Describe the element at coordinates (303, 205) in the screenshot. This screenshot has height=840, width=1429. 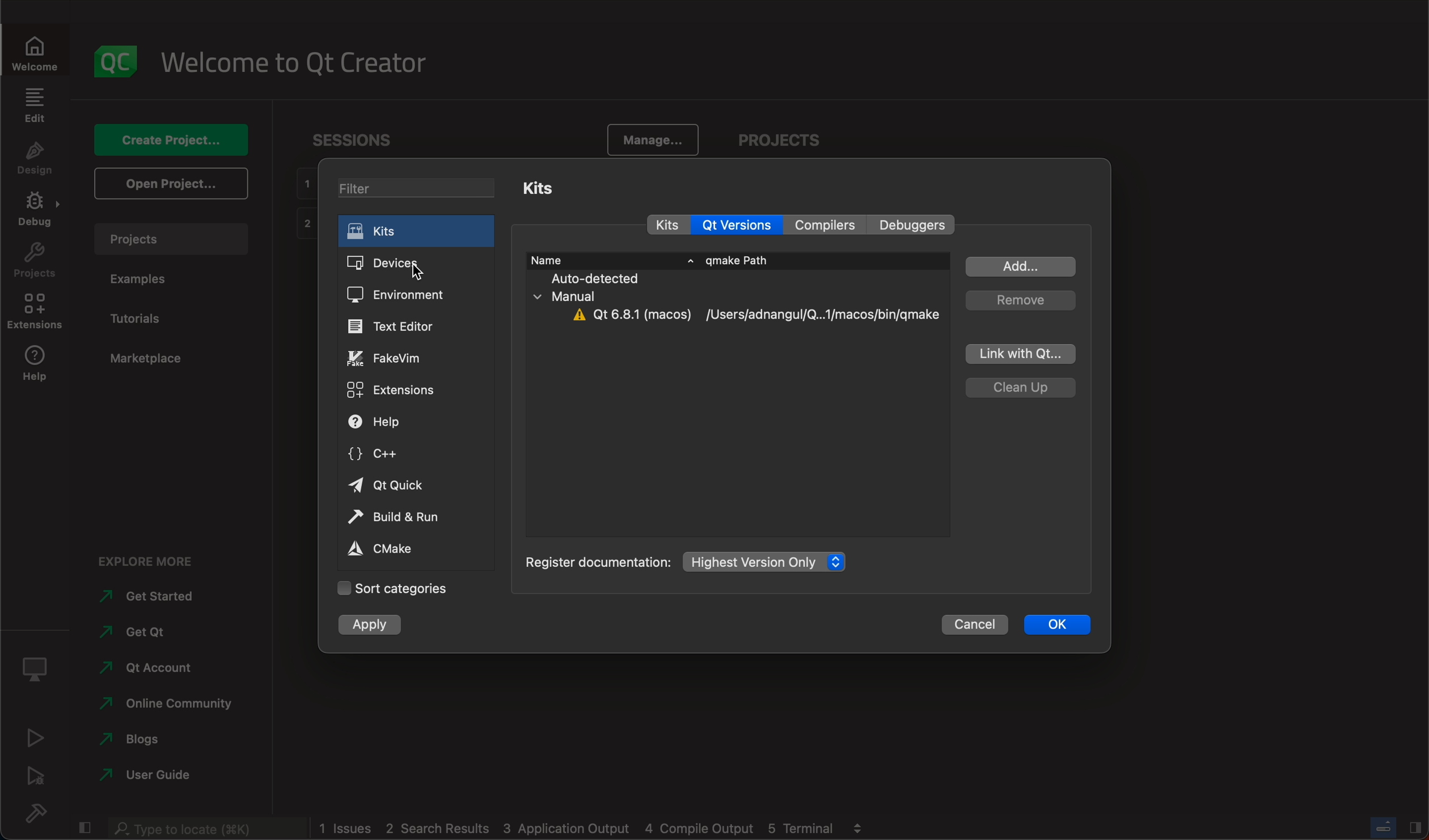
I see `1 2` at that location.